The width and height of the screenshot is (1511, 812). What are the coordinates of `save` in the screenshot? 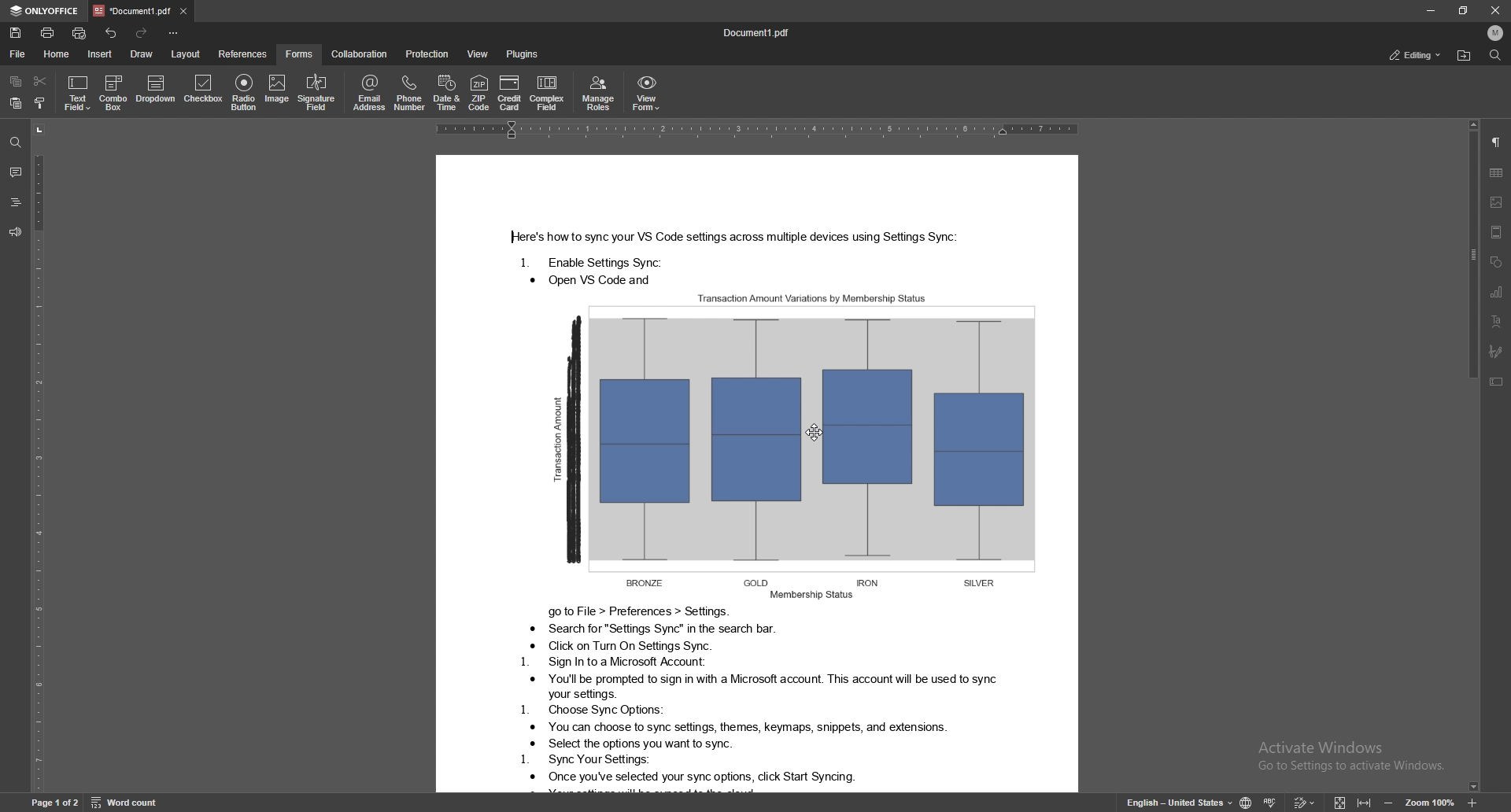 It's located at (16, 31).